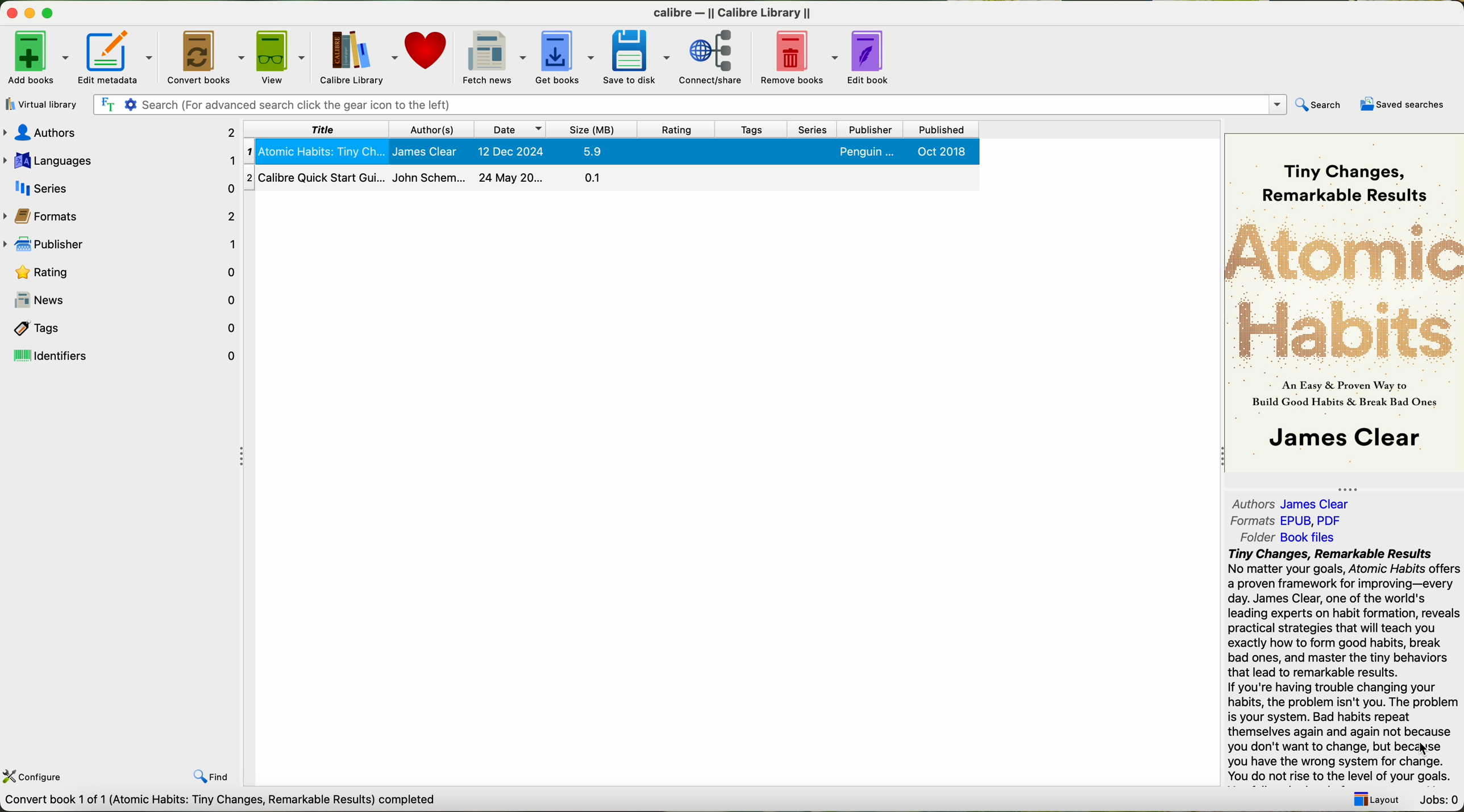 This screenshot has width=1464, height=812. Describe the element at coordinates (121, 243) in the screenshot. I see `publisher` at that location.